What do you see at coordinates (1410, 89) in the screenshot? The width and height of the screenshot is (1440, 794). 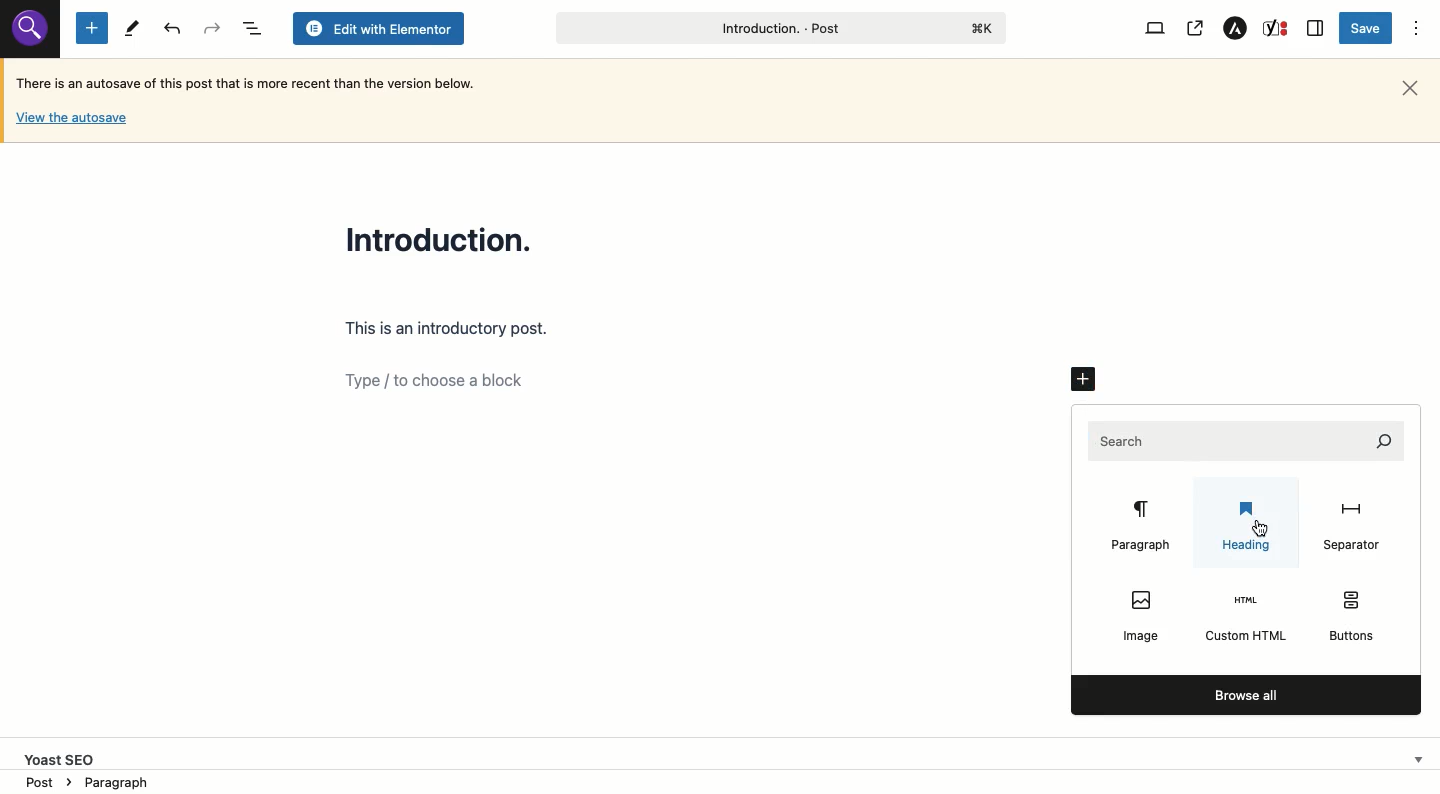 I see `Close` at bounding box center [1410, 89].